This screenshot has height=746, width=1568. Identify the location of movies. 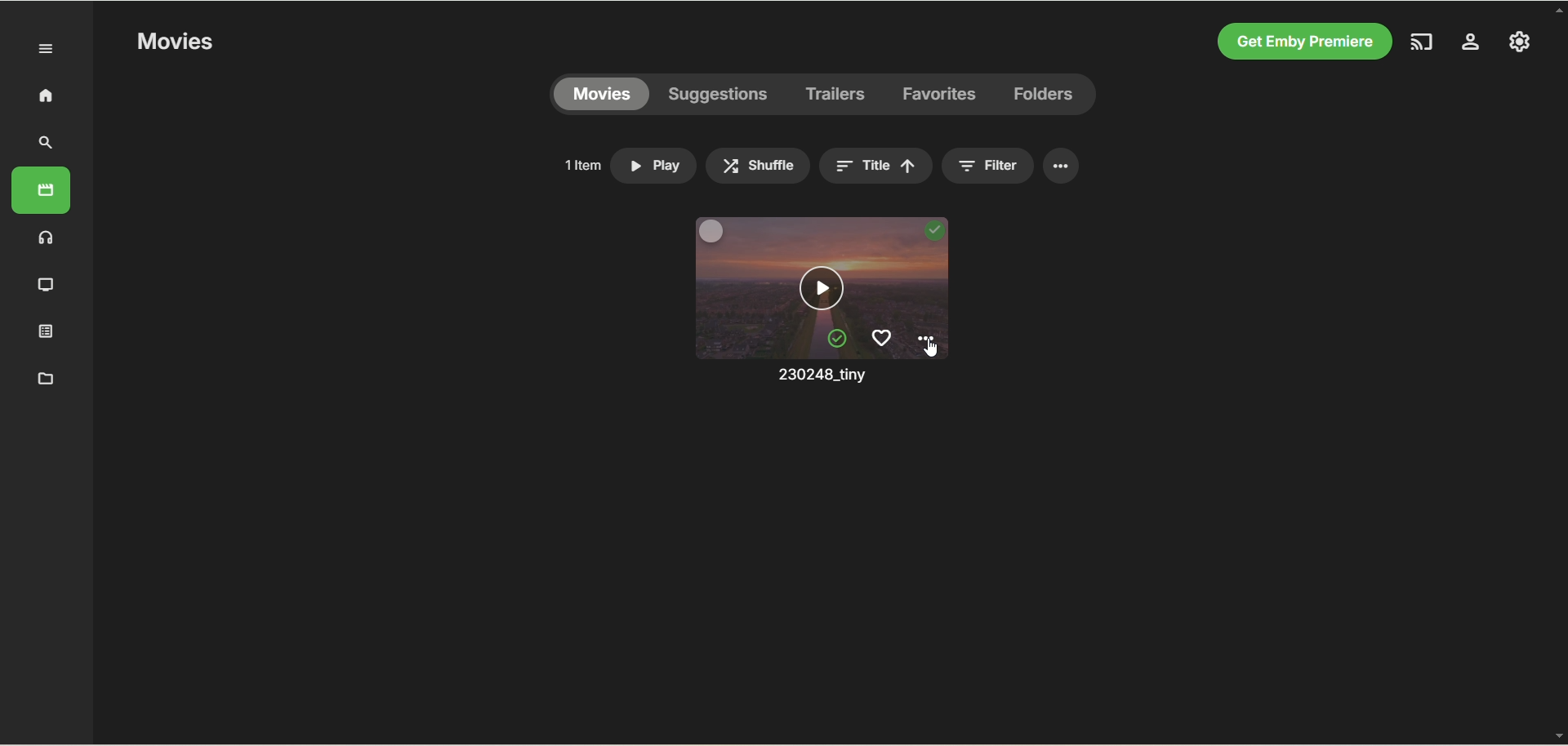
(41, 190).